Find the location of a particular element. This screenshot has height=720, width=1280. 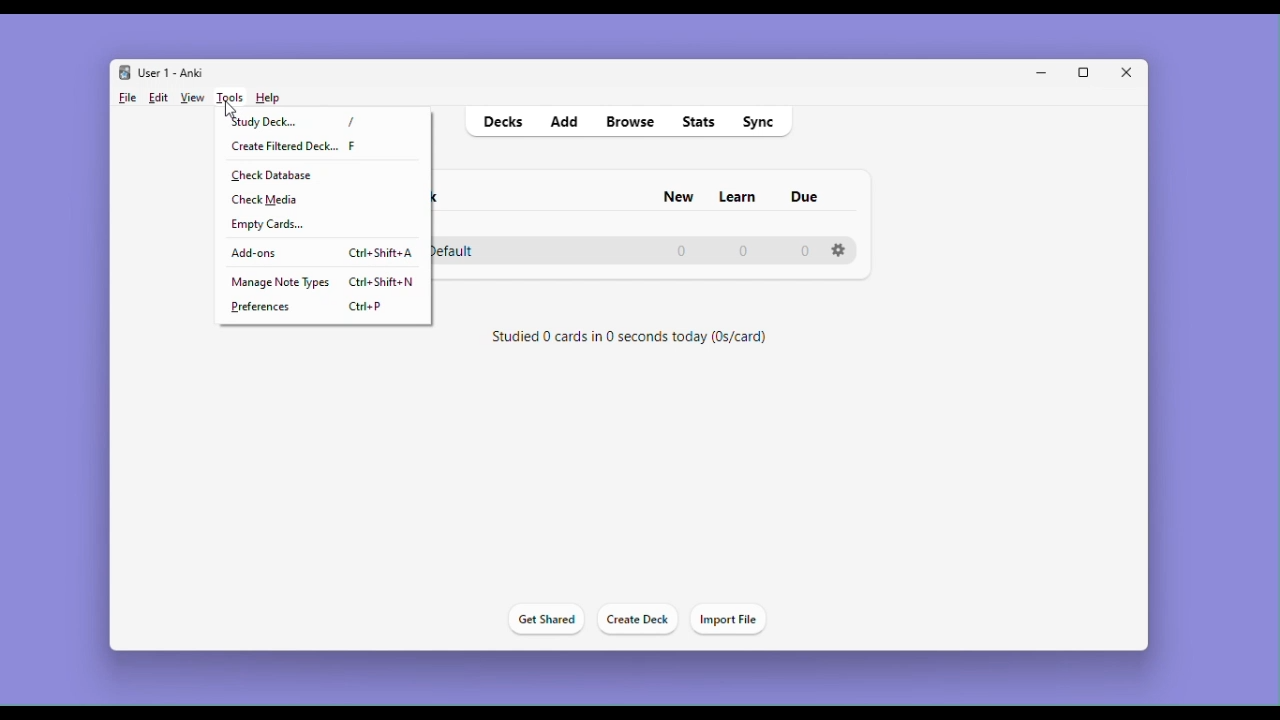

New is located at coordinates (680, 197).